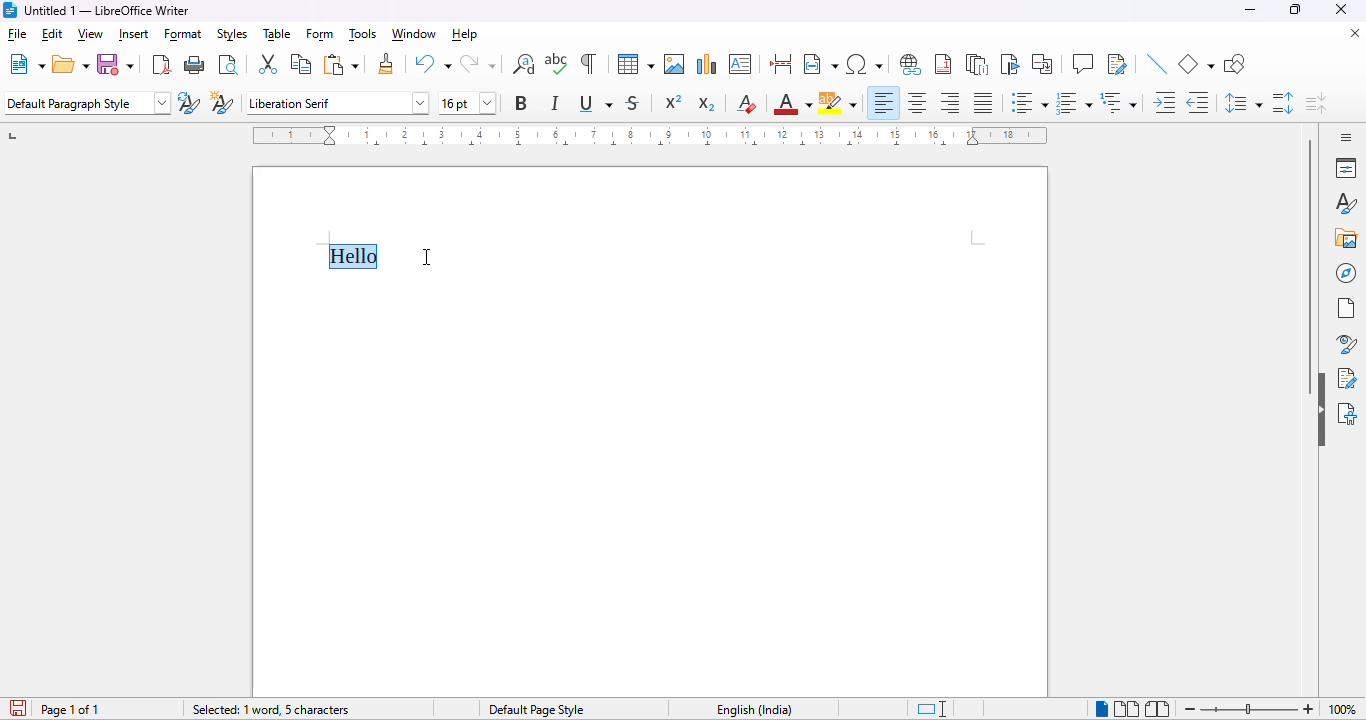 The width and height of the screenshot is (1366, 720). Describe the element at coordinates (1346, 168) in the screenshot. I see `properties` at that location.